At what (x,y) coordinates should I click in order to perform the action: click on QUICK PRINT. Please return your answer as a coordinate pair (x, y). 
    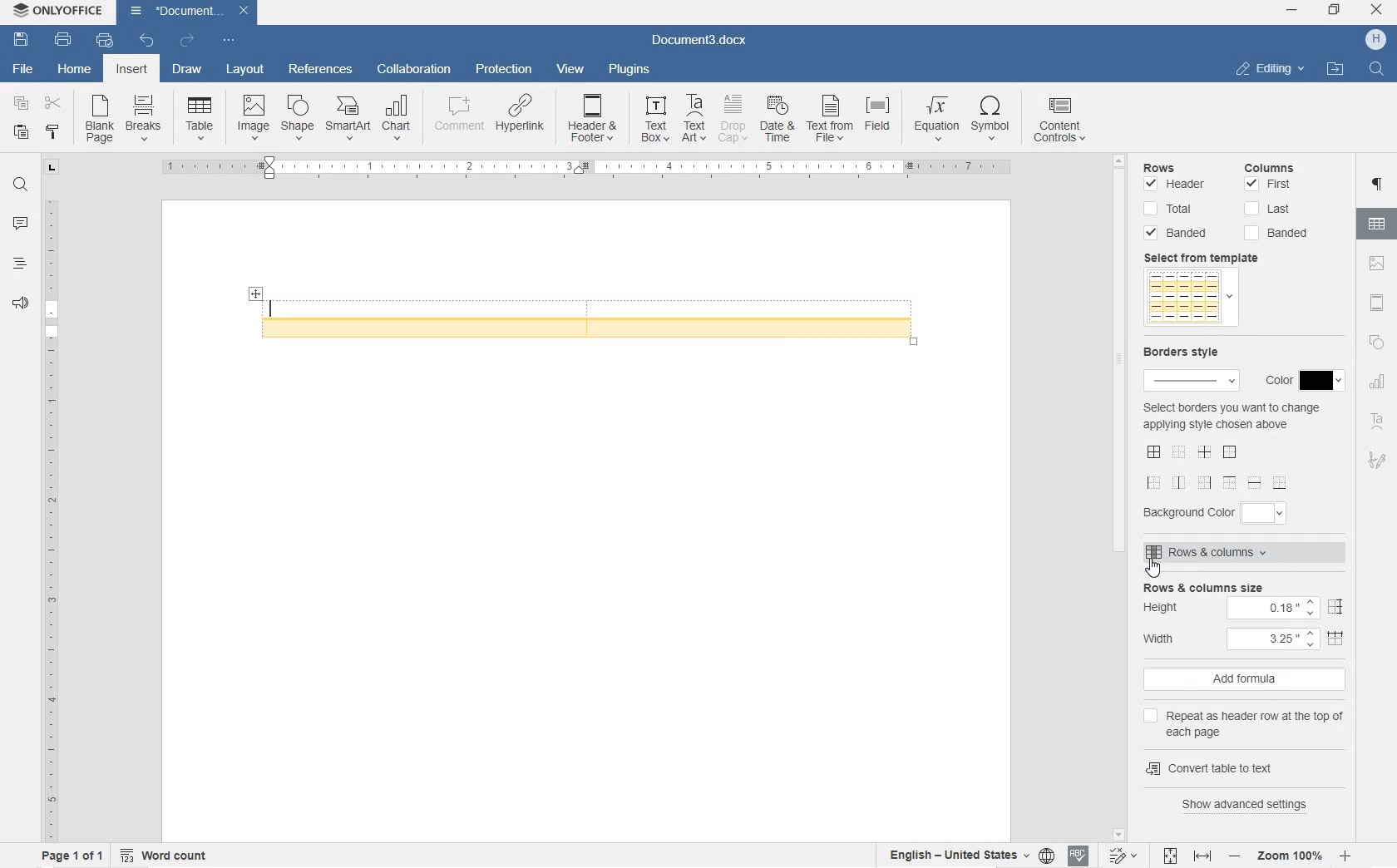
    Looking at the image, I should click on (103, 42).